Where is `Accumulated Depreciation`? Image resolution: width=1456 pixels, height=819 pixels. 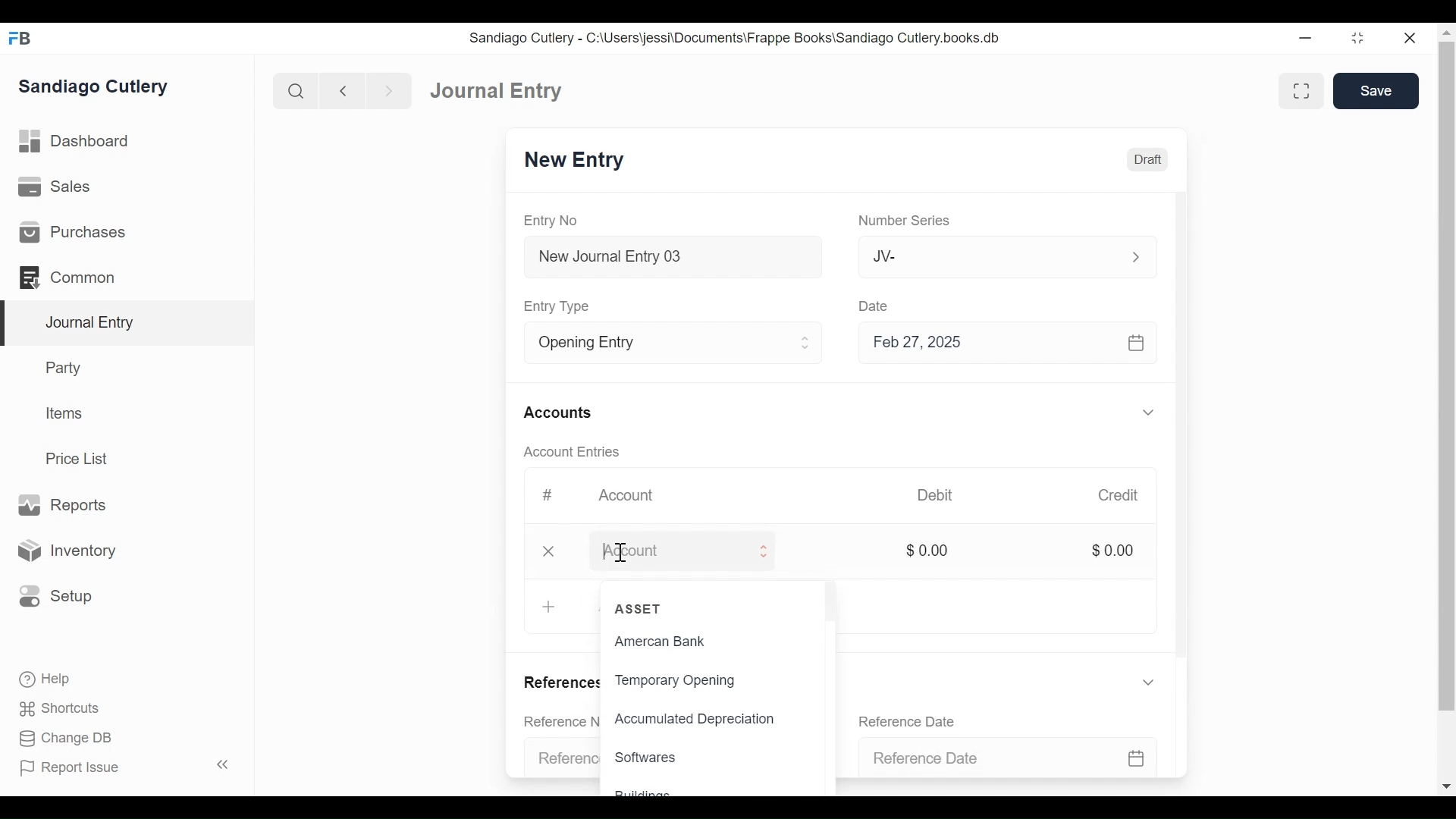
Accumulated Depreciation is located at coordinates (713, 720).